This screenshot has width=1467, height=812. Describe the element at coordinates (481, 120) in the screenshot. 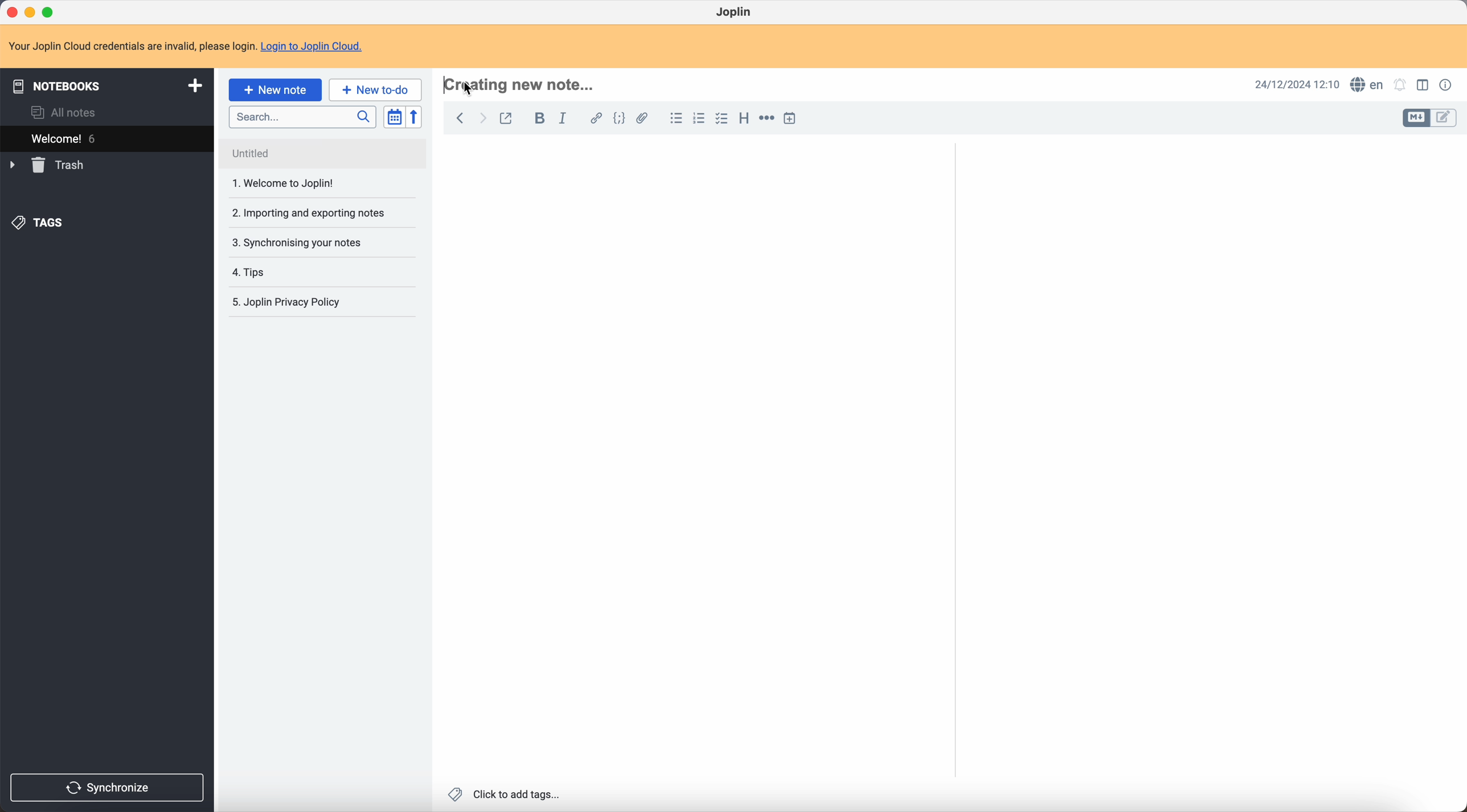

I see `foward` at that location.